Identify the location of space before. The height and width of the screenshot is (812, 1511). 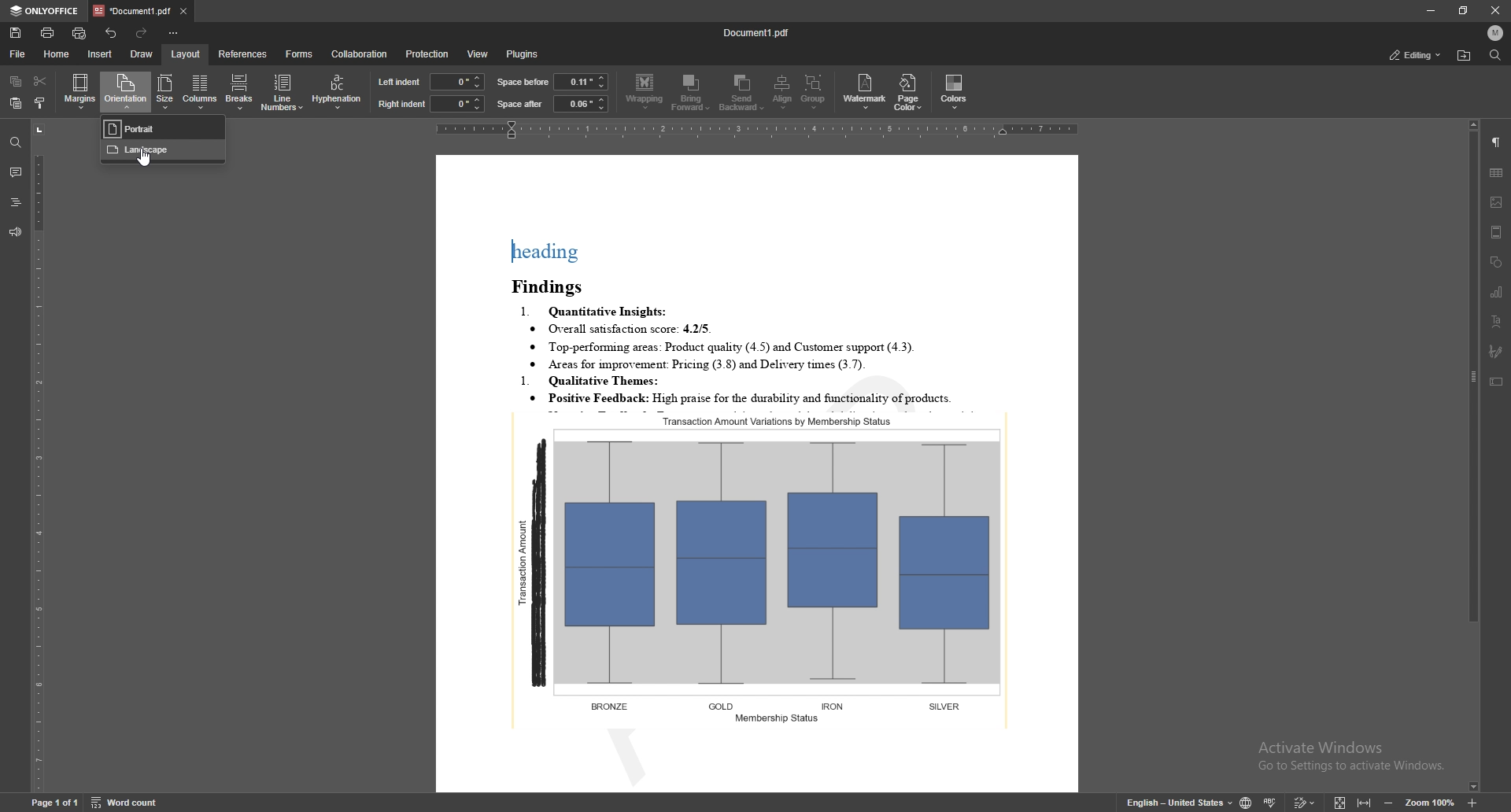
(523, 82).